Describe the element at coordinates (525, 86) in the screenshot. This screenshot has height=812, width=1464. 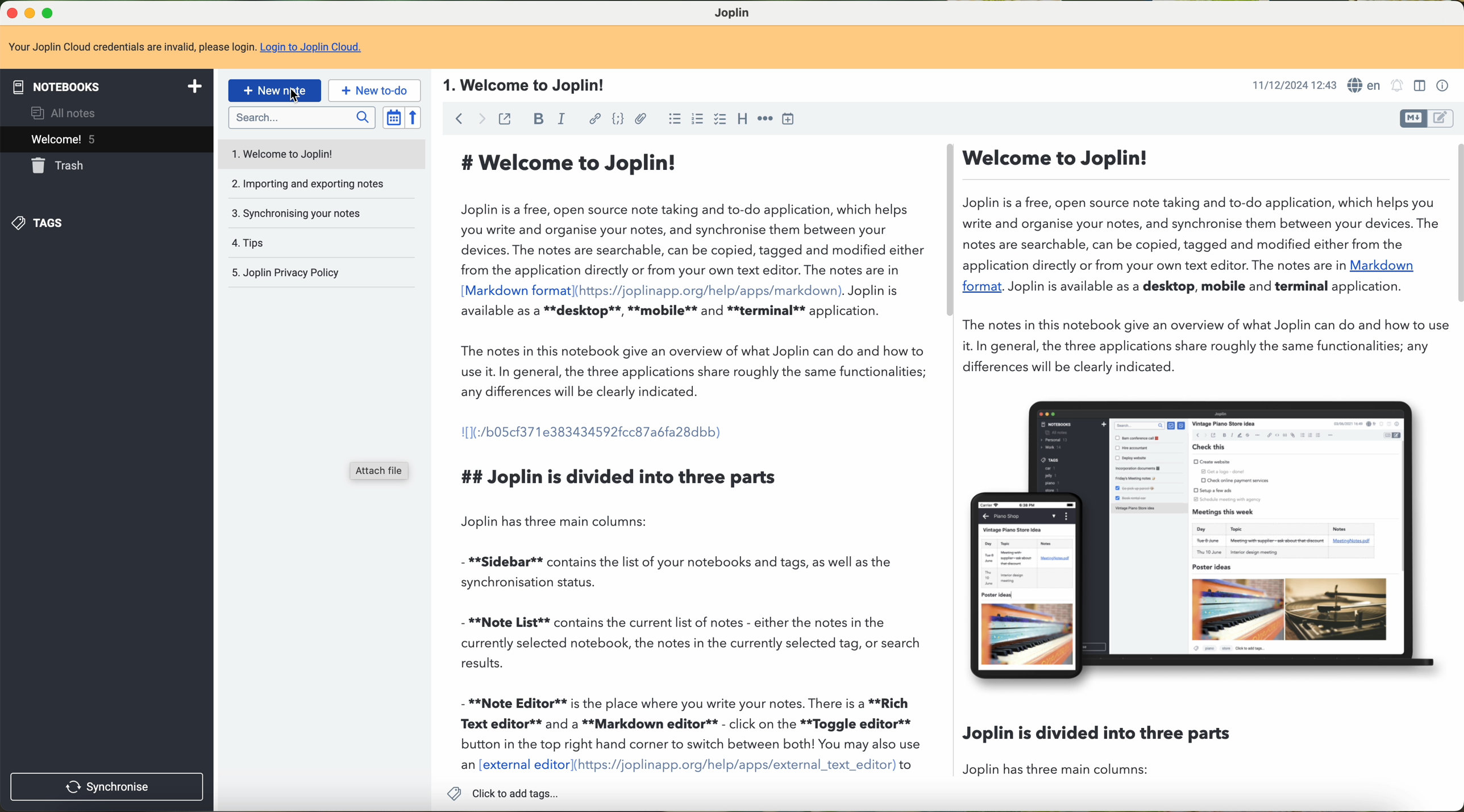
I see `title: Welcome to Joplin` at that location.